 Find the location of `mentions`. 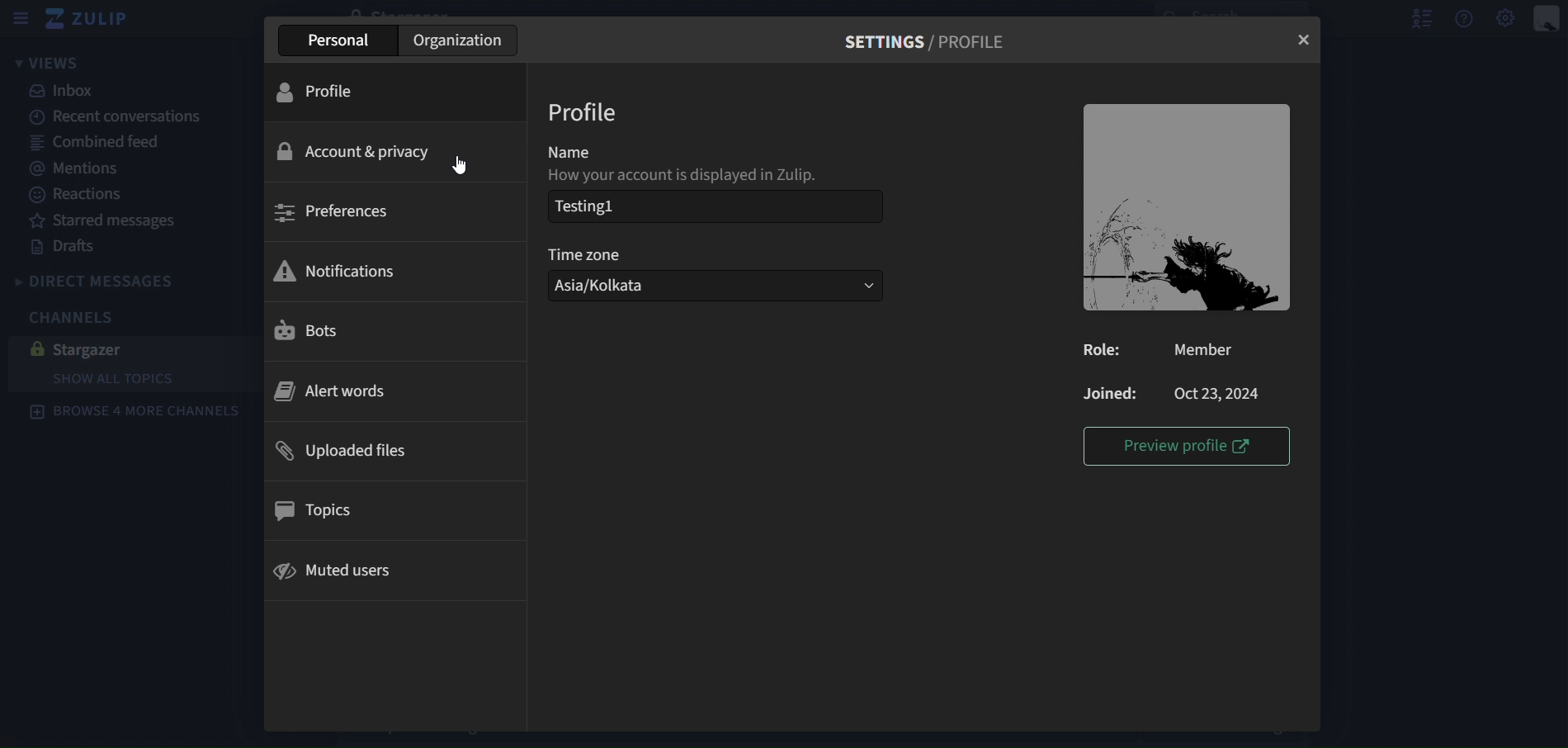

mentions is located at coordinates (83, 168).